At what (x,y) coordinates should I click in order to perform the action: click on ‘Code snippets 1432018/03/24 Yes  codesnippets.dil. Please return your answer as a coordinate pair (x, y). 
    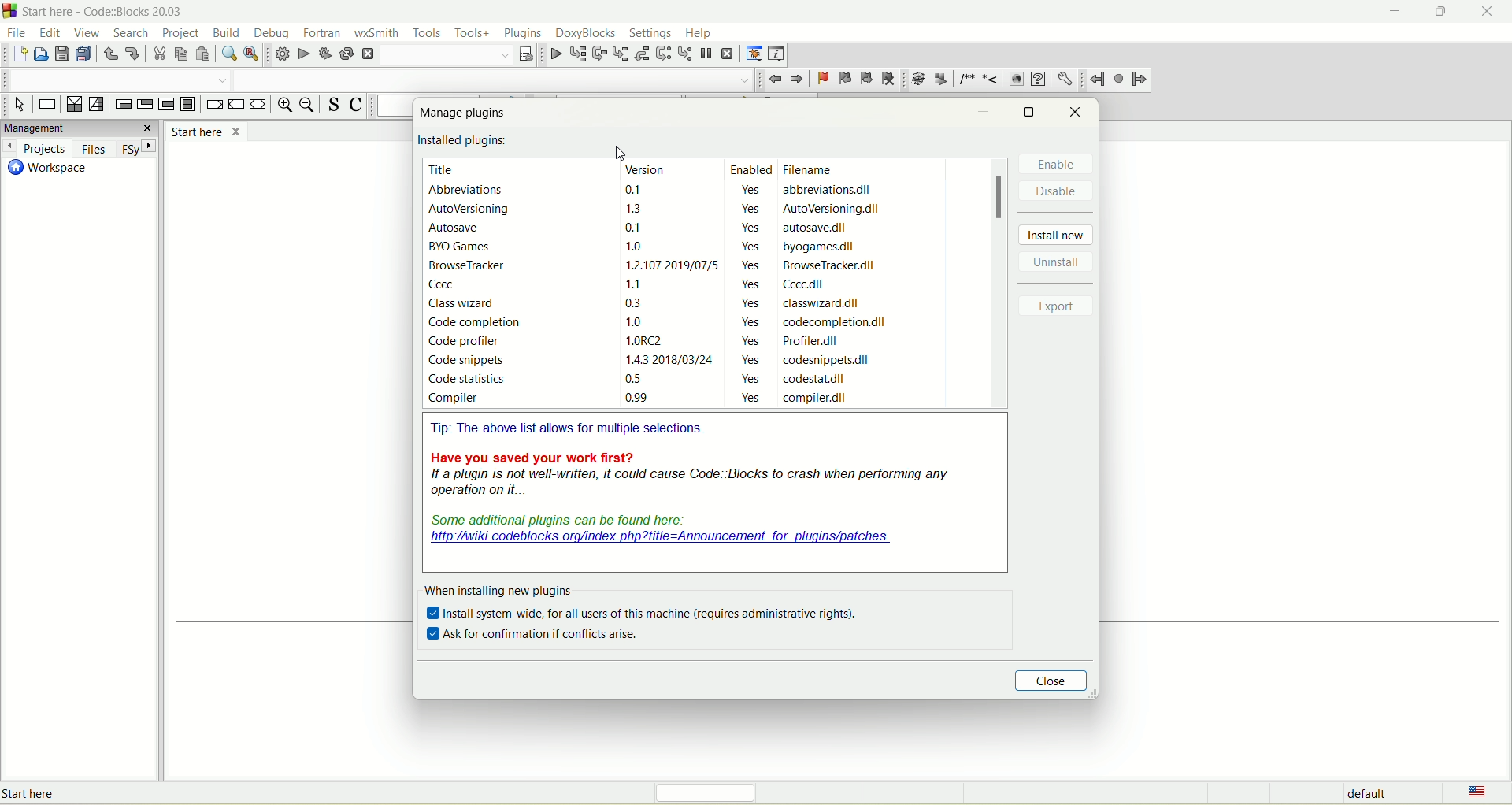
    Looking at the image, I should click on (647, 360).